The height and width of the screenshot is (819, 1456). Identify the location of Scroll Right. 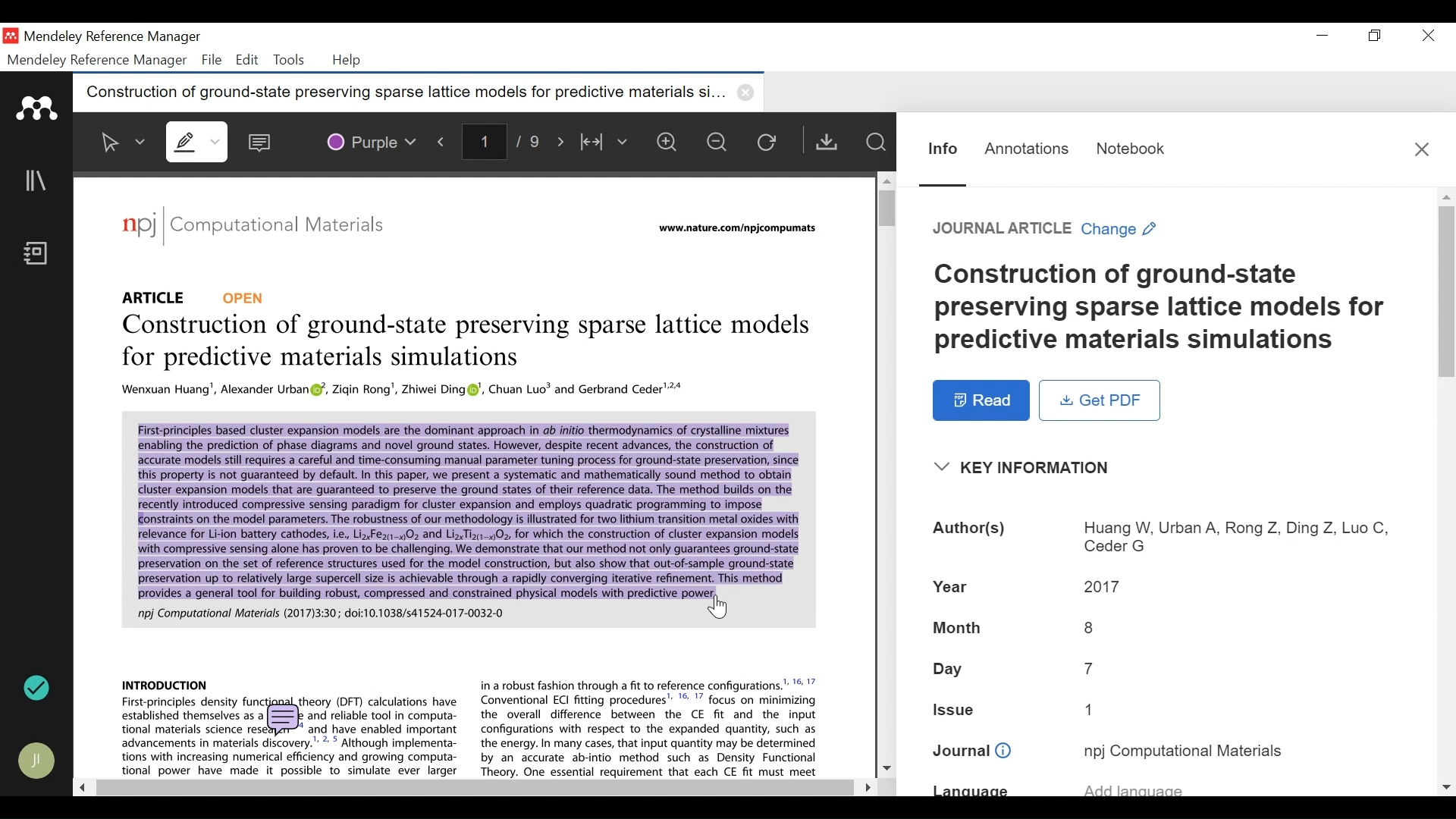
(864, 787).